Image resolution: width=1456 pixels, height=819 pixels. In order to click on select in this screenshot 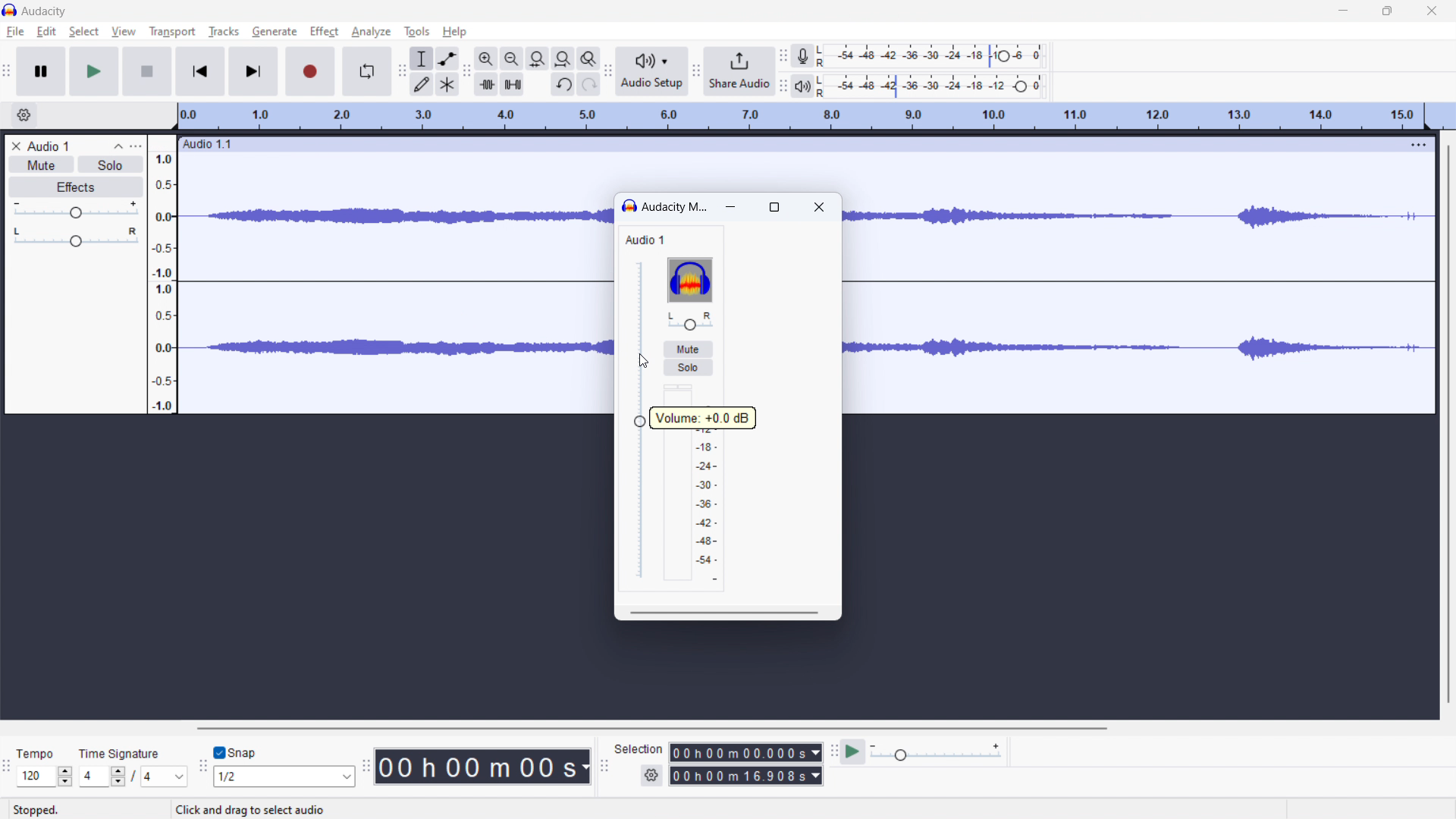, I will do `click(83, 32)`.